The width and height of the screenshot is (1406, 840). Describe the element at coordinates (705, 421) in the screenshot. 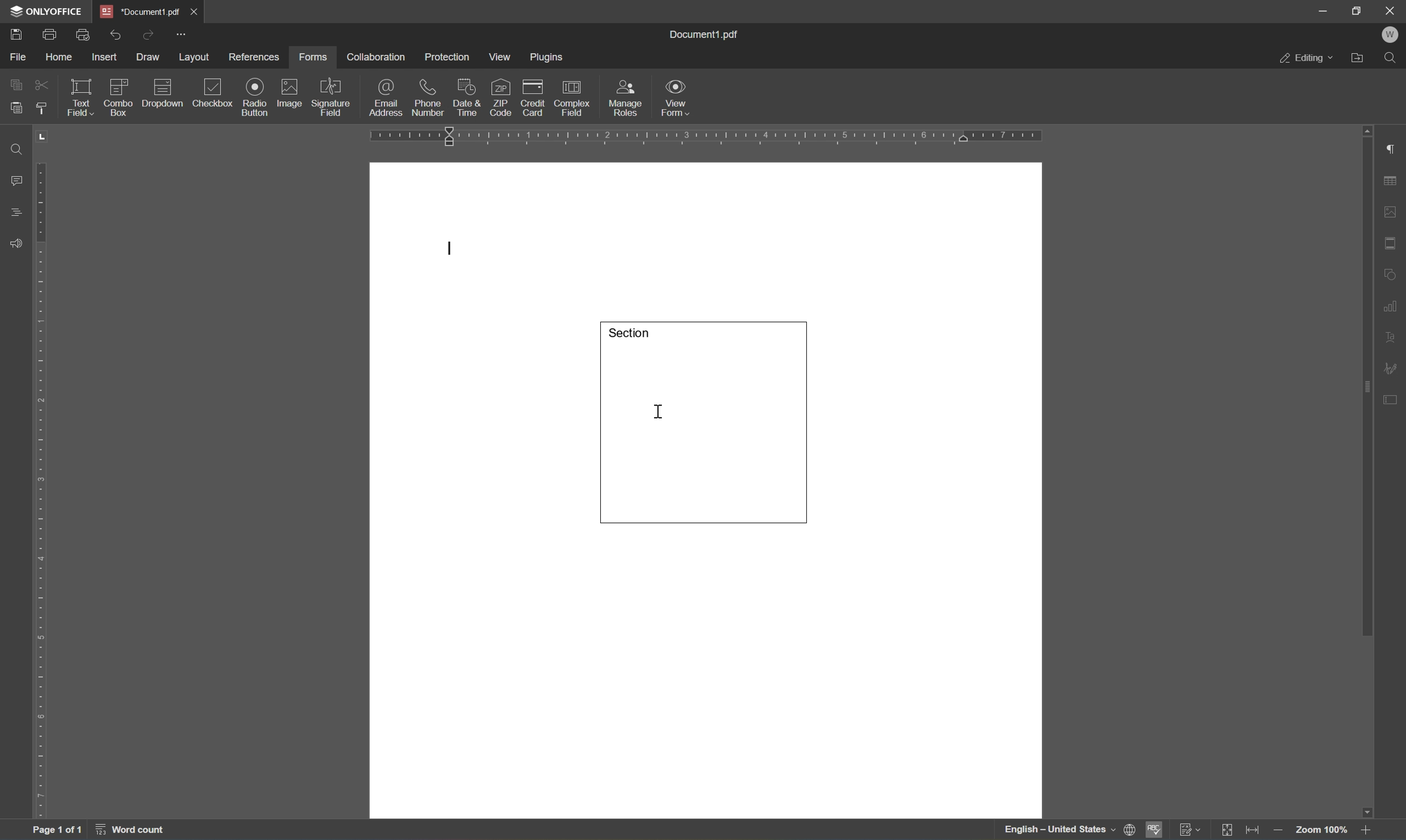

I see `Text box` at that location.